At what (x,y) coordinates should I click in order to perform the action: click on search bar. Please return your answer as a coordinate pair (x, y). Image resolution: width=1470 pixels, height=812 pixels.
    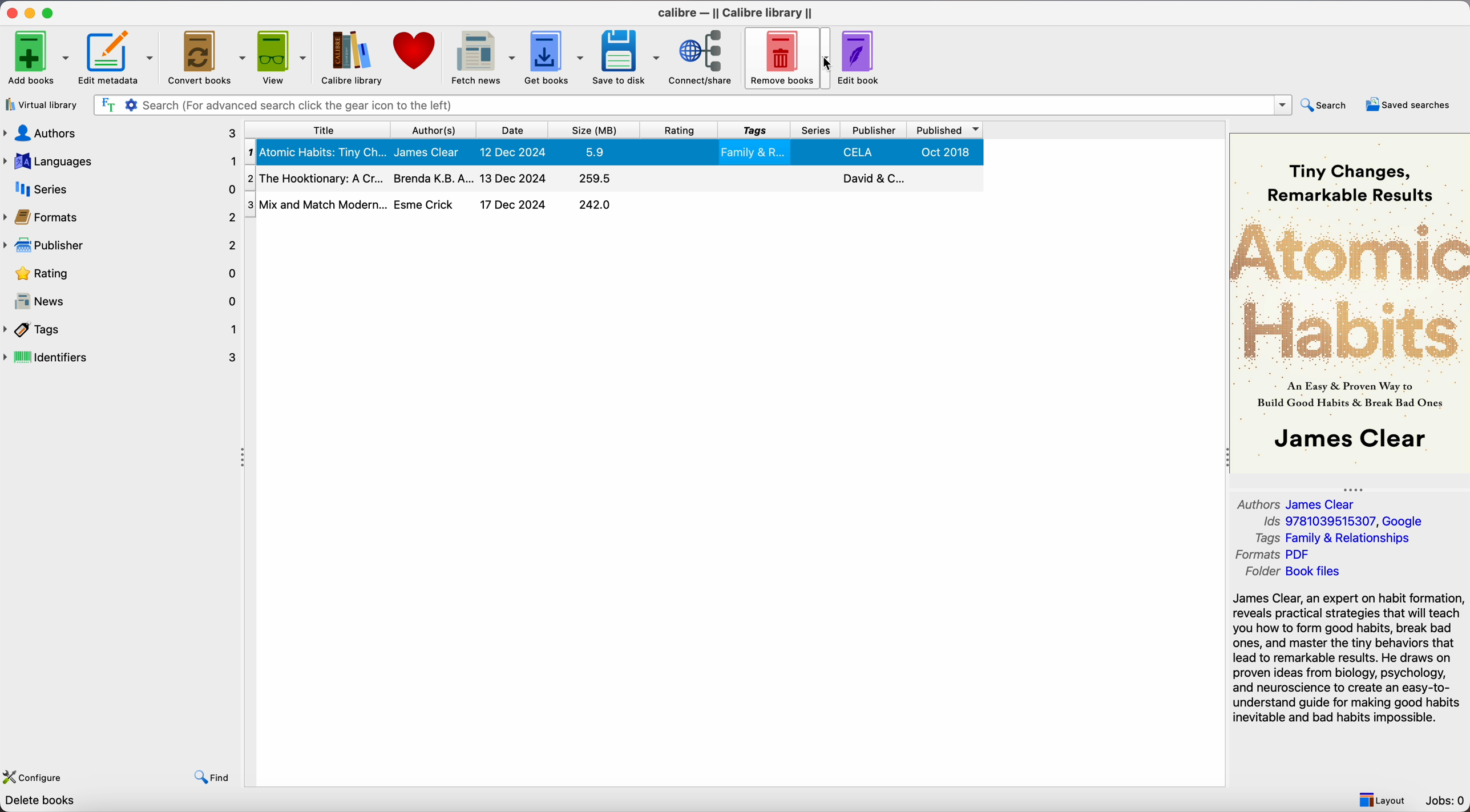
    Looking at the image, I should click on (694, 104).